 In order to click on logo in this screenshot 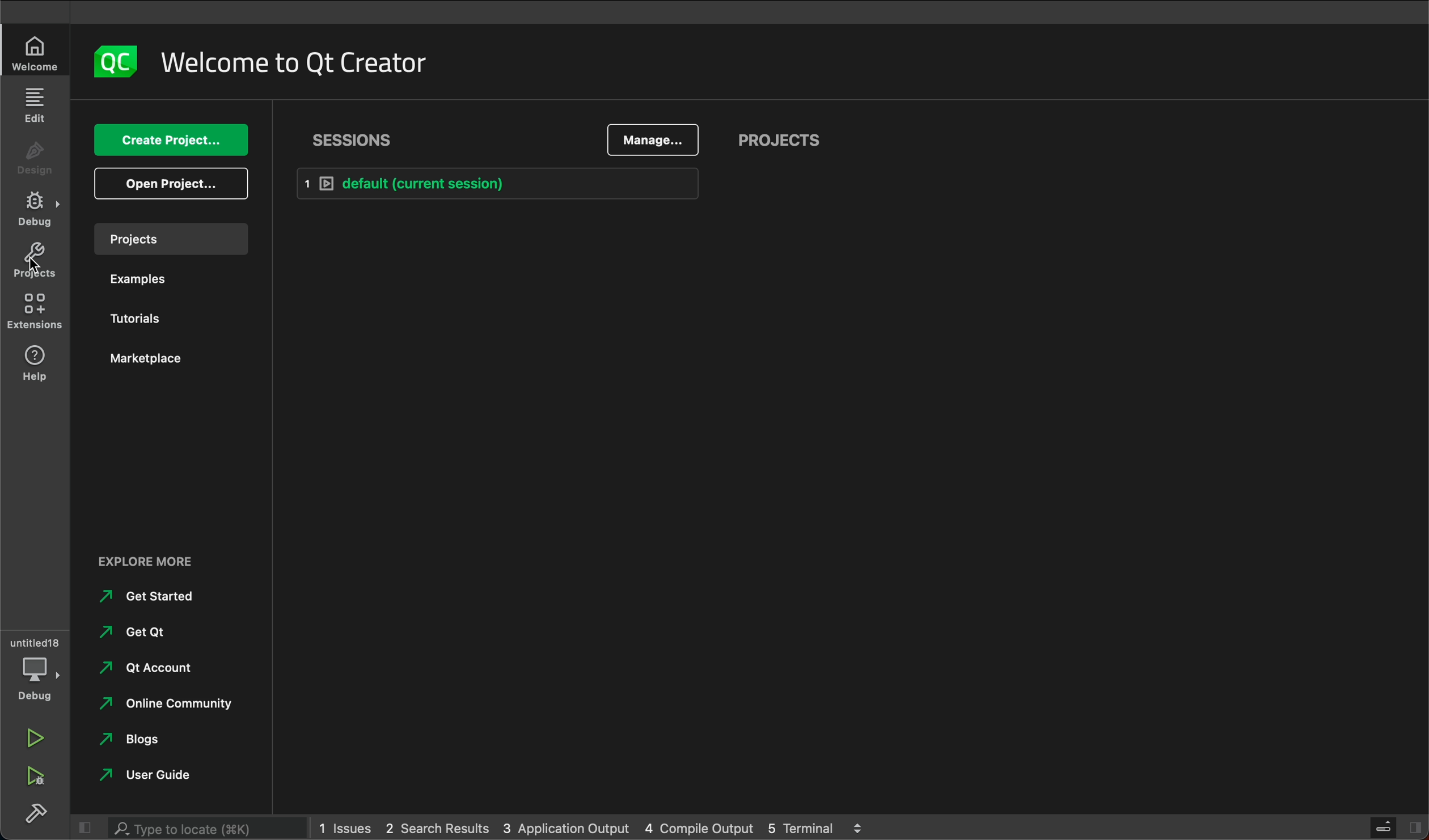, I will do `click(117, 63)`.